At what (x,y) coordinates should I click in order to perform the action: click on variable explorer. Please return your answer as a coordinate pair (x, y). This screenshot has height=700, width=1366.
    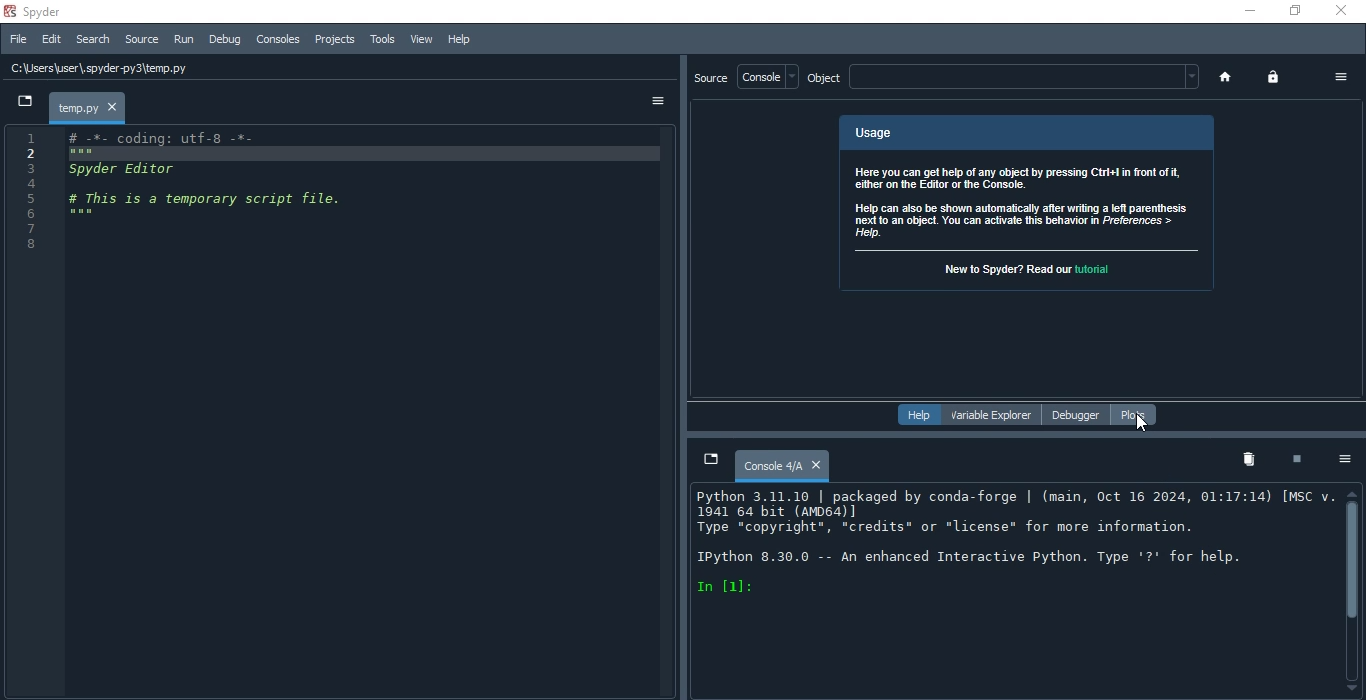
    Looking at the image, I should click on (992, 415).